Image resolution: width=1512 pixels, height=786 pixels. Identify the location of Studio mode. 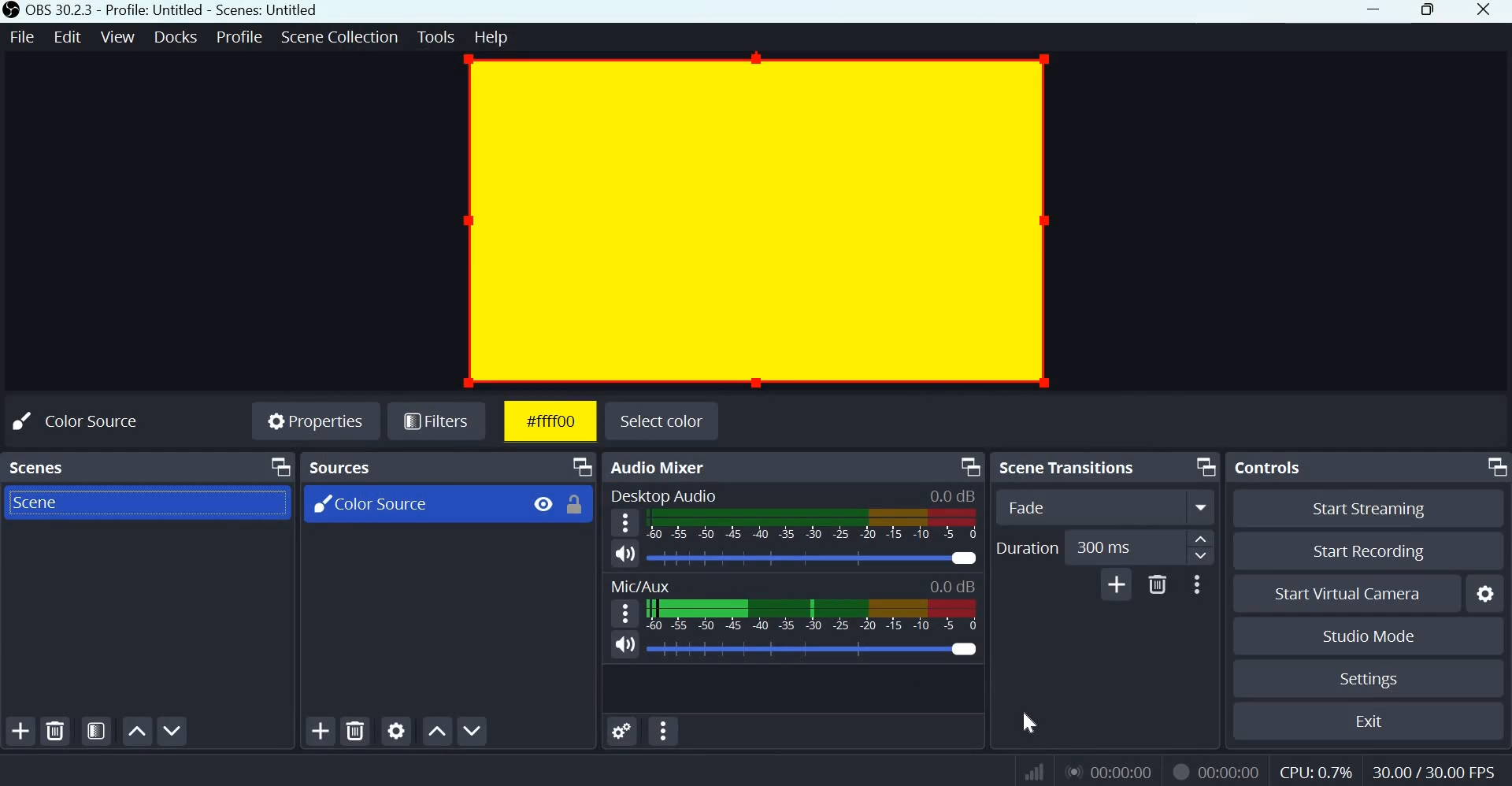
(1366, 636).